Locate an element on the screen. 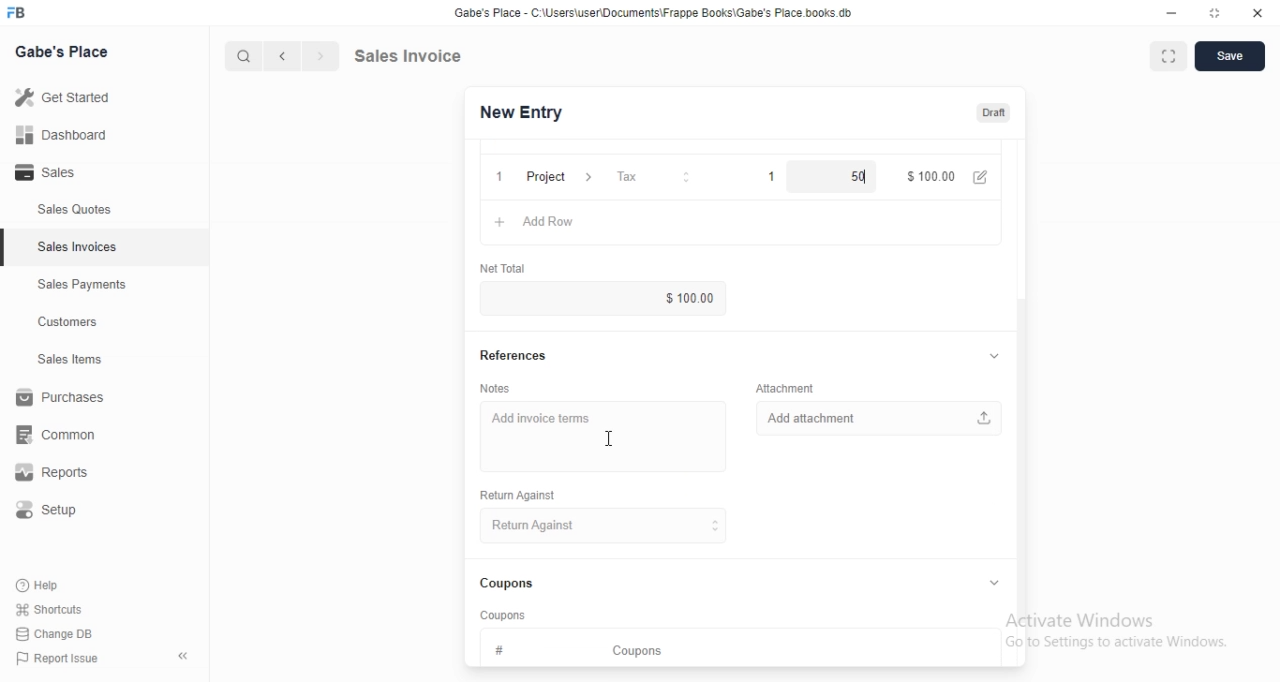  ‘Attachment is located at coordinates (785, 388).